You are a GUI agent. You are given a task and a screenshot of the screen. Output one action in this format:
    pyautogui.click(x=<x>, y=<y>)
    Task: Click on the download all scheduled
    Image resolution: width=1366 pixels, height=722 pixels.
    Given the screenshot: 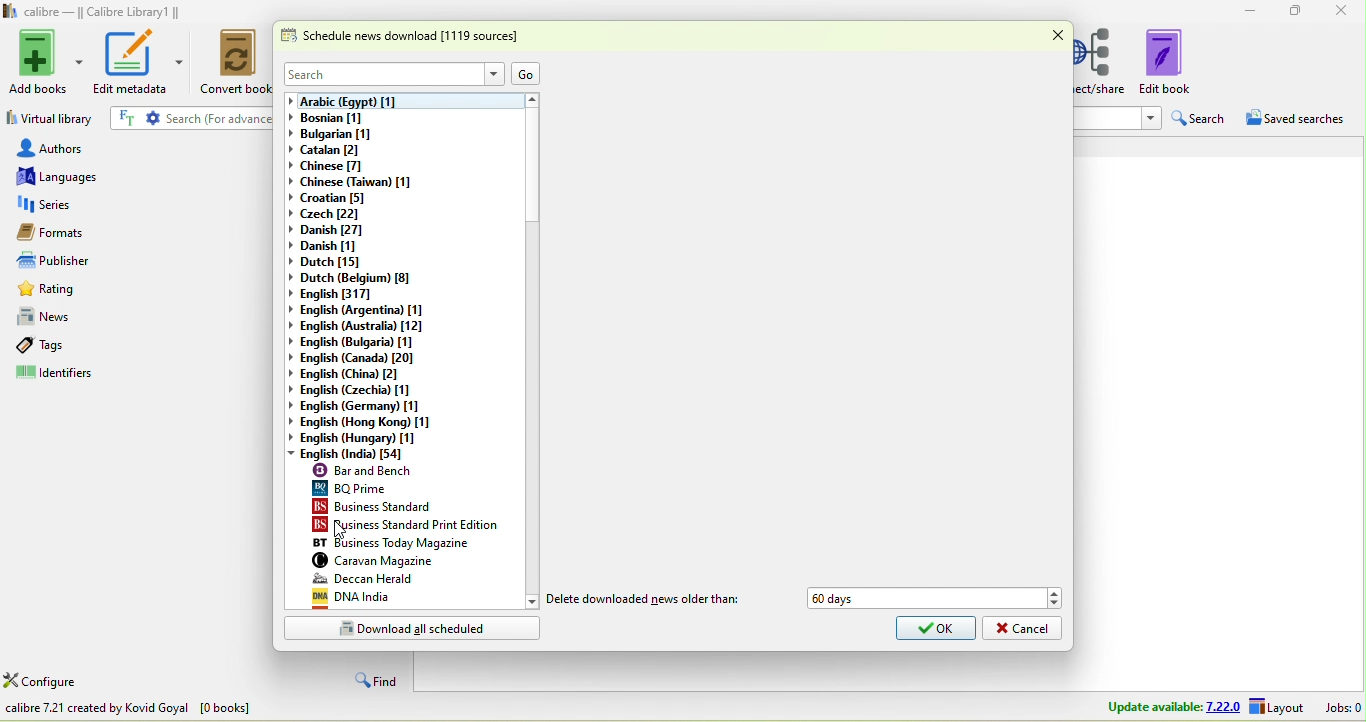 What is the action you would take?
    pyautogui.click(x=414, y=629)
    